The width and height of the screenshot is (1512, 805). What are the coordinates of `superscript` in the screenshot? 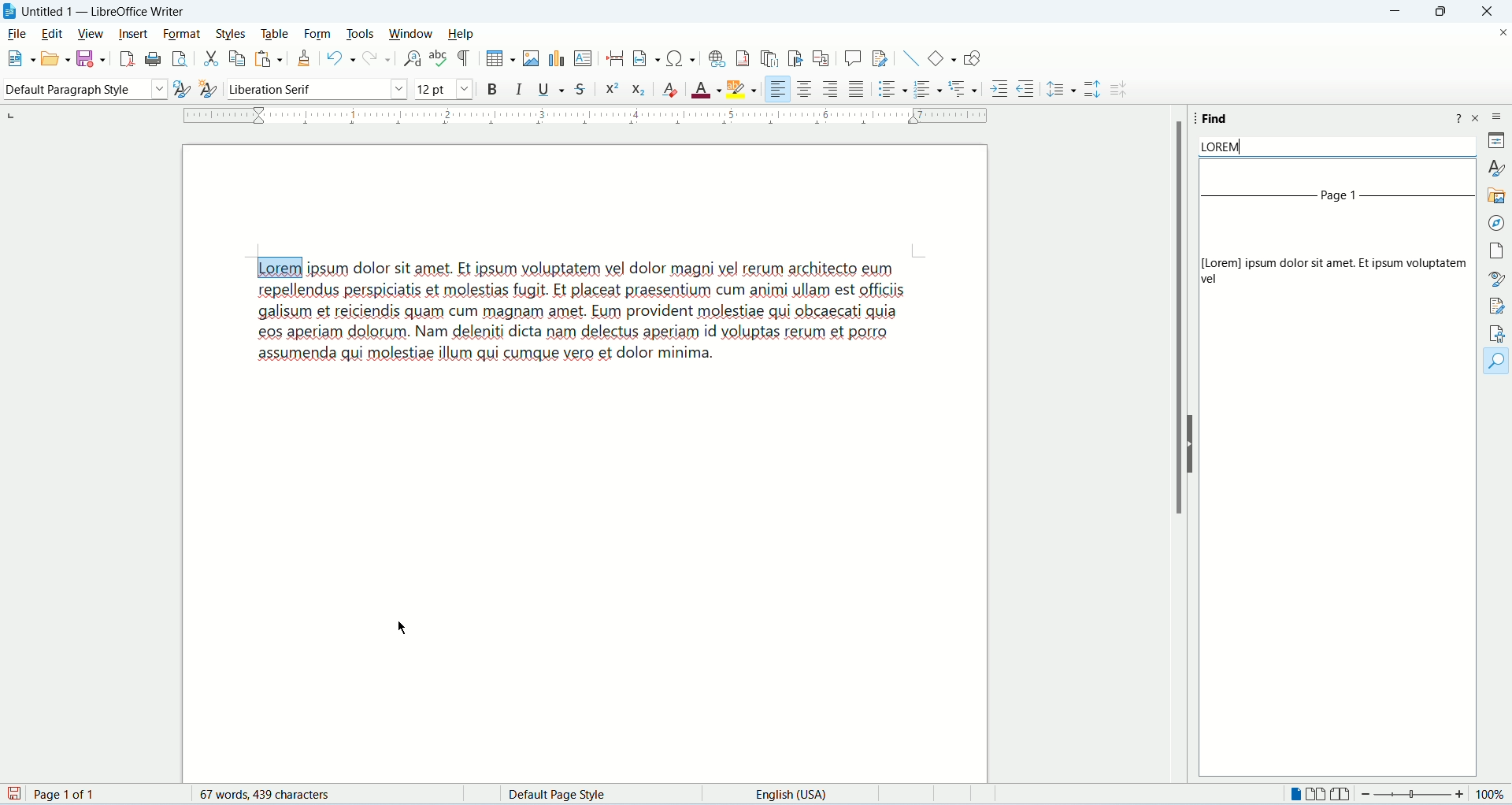 It's located at (612, 89).